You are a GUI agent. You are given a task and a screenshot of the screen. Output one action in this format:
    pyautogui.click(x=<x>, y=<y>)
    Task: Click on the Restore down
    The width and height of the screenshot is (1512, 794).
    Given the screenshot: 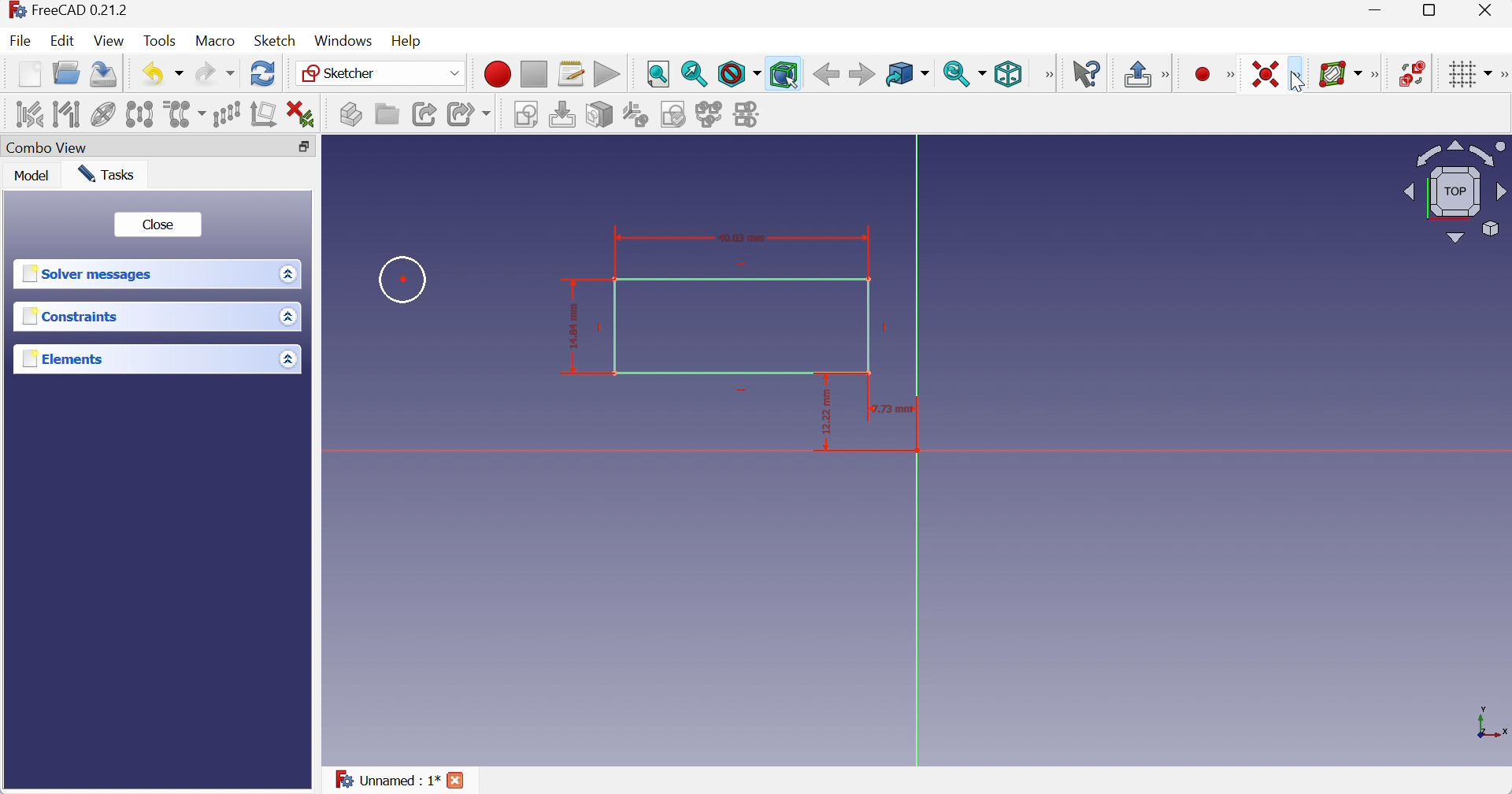 What is the action you would take?
    pyautogui.click(x=1435, y=11)
    